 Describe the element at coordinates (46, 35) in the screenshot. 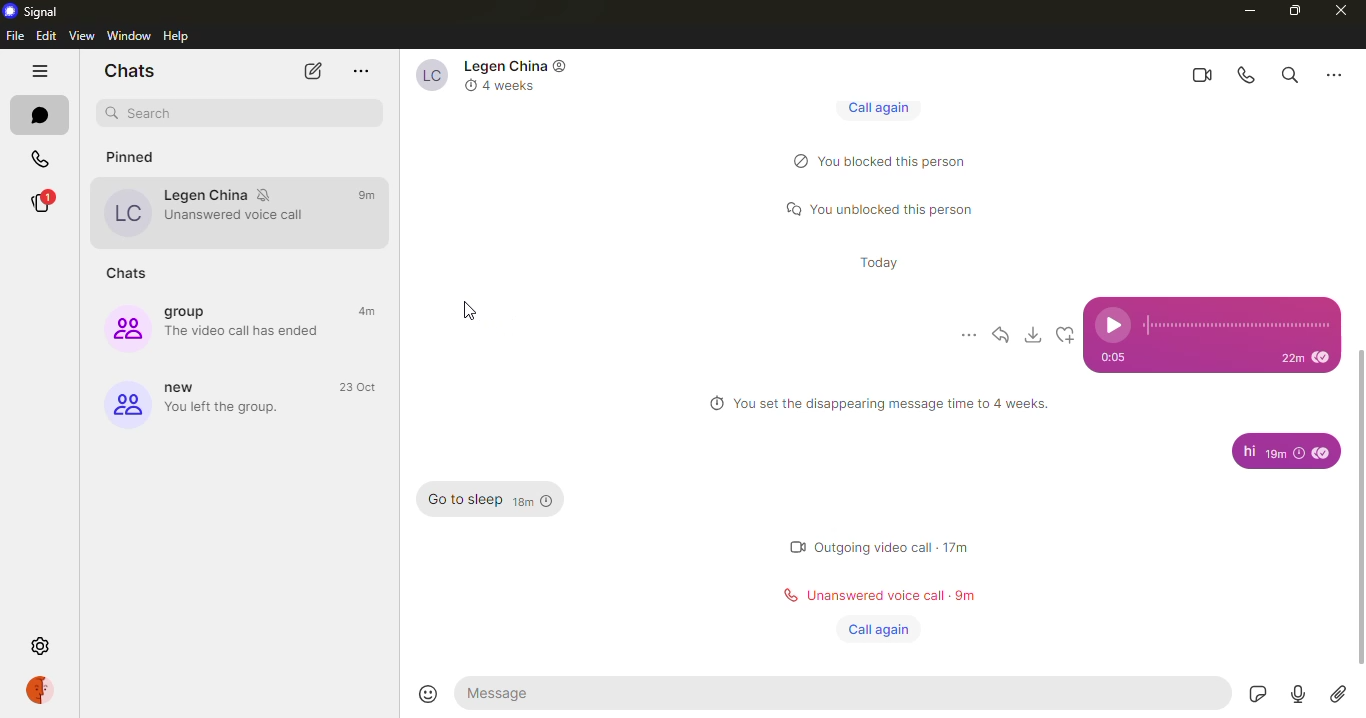

I see `edit` at that location.